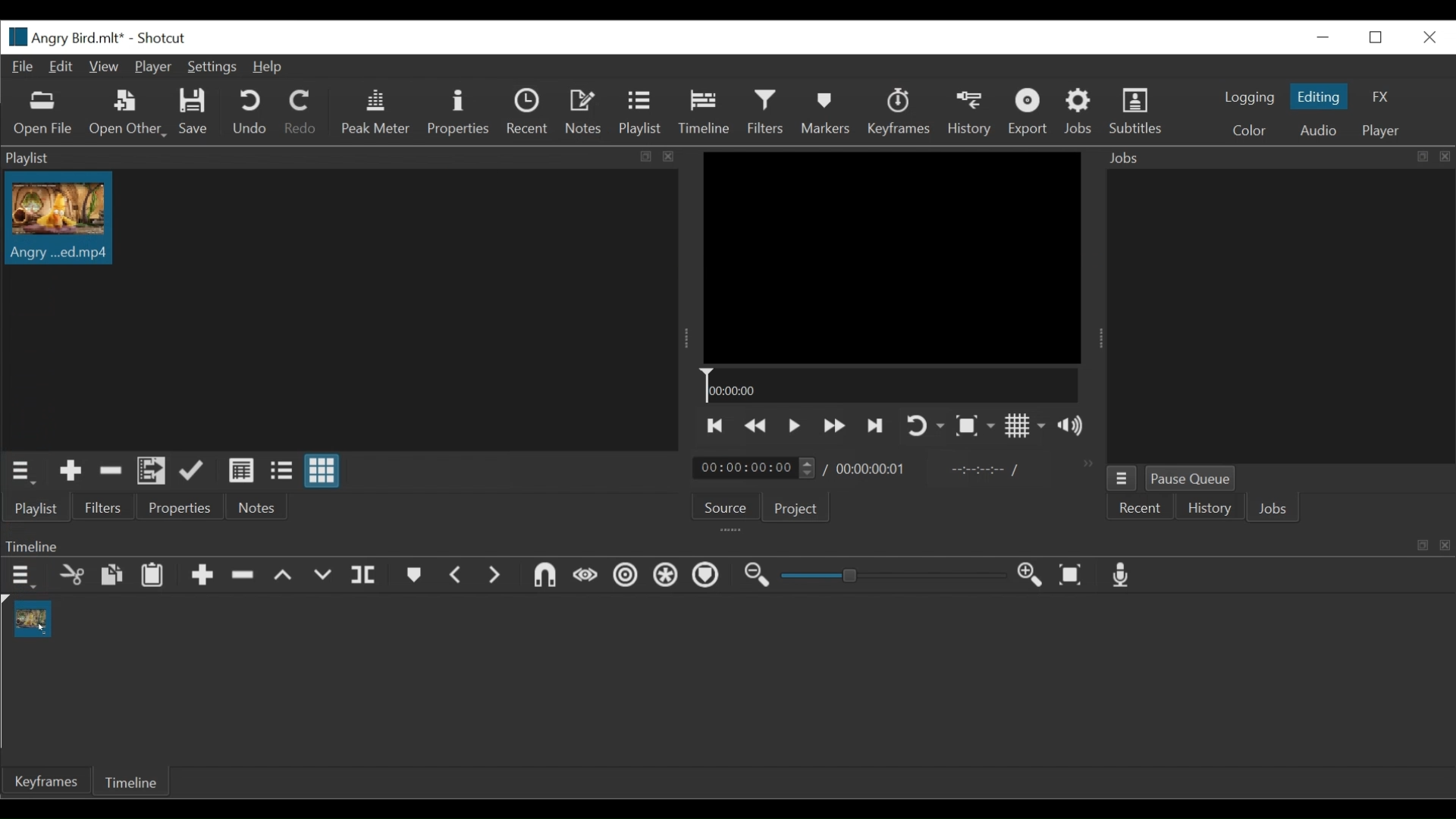 The height and width of the screenshot is (819, 1456). I want to click on Editing, so click(1319, 96).